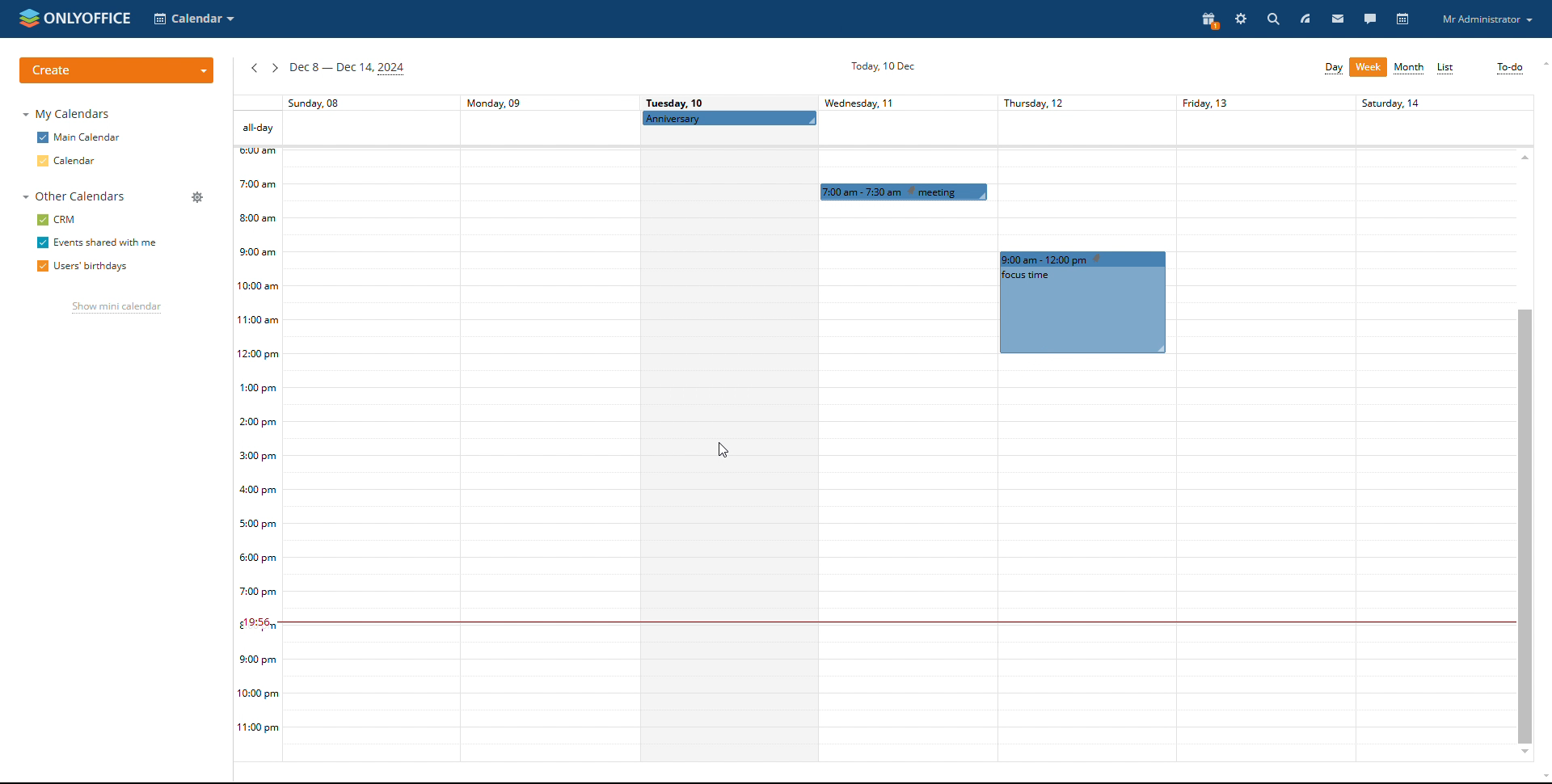 The image size is (1552, 784). What do you see at coordinates (1446, 69) in the screenshot?
I see `list view` at bounding box center [1446, 69].